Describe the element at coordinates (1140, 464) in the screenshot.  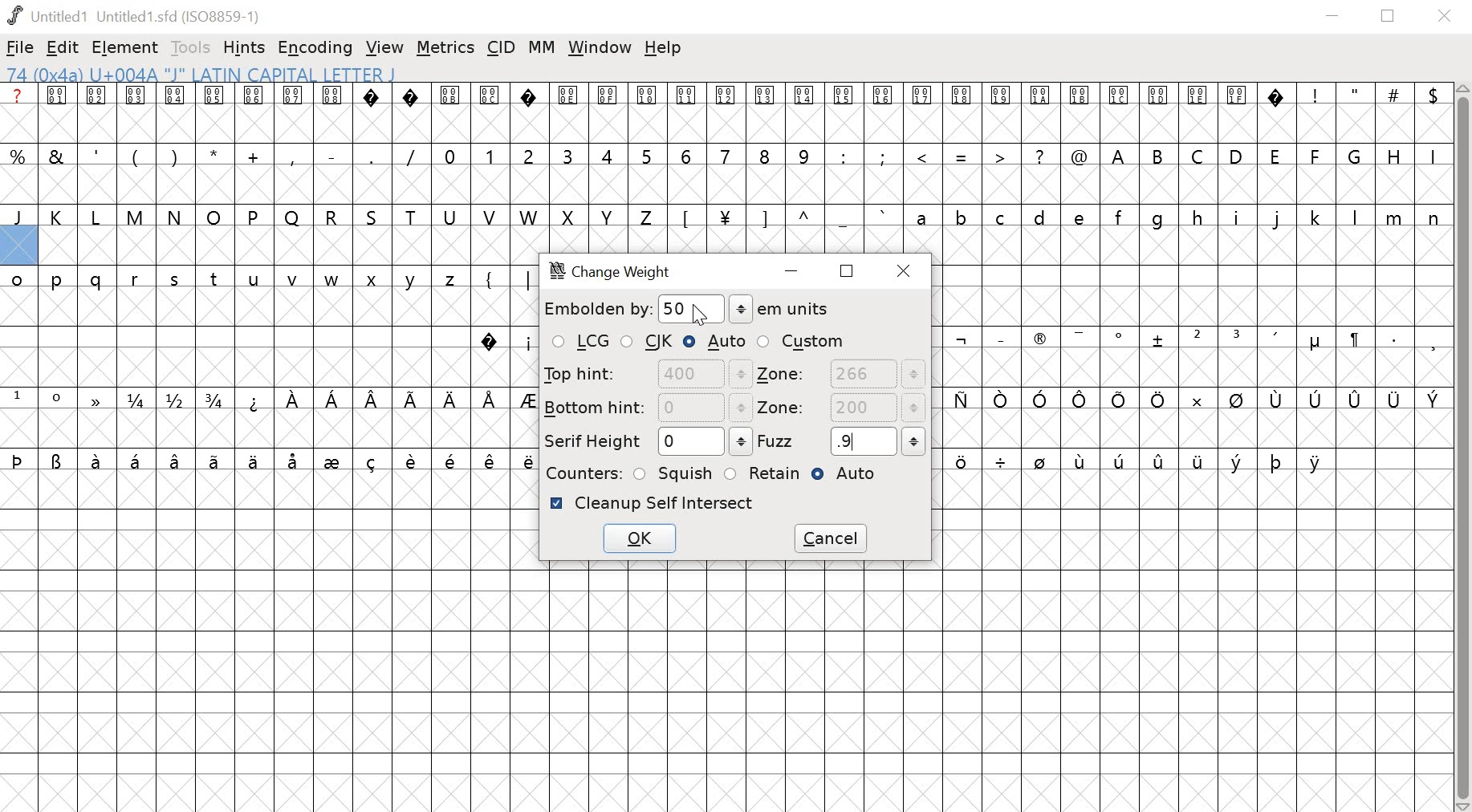
I see `symbols` at that location.